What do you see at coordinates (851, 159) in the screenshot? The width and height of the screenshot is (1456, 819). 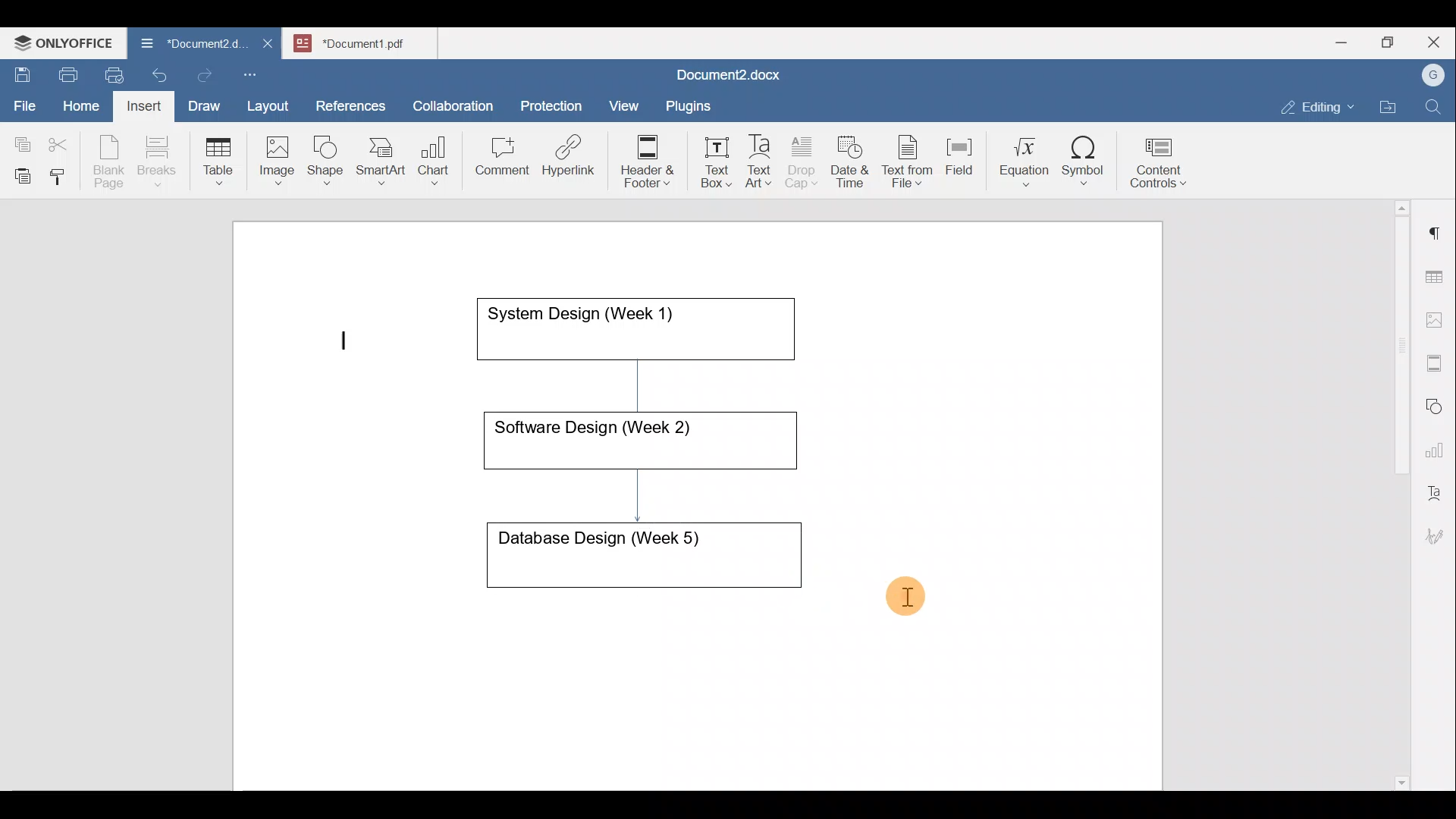 I see `Date & time` at bounding box center [851, 159].